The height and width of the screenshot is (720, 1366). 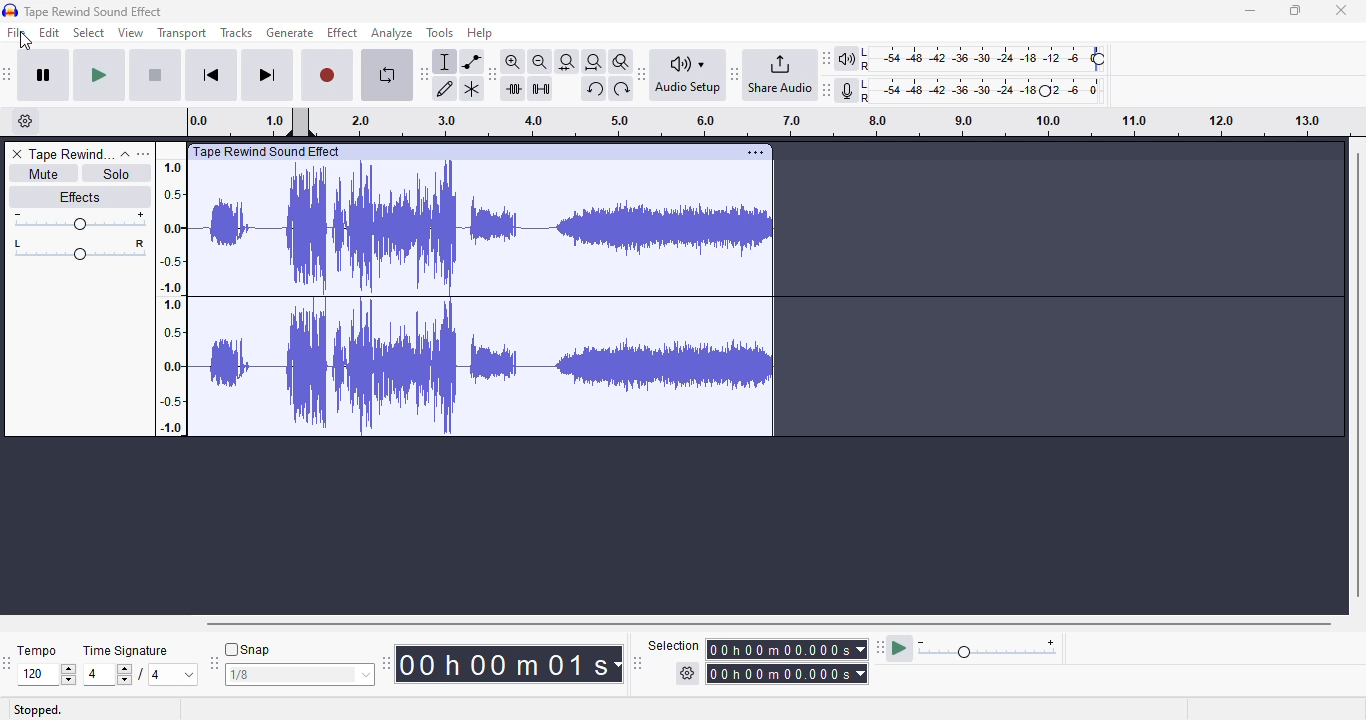 What do you see at coordinates (473, 61) in the screenshot?
I see `envelope tool` at bounding box center [473, 61].